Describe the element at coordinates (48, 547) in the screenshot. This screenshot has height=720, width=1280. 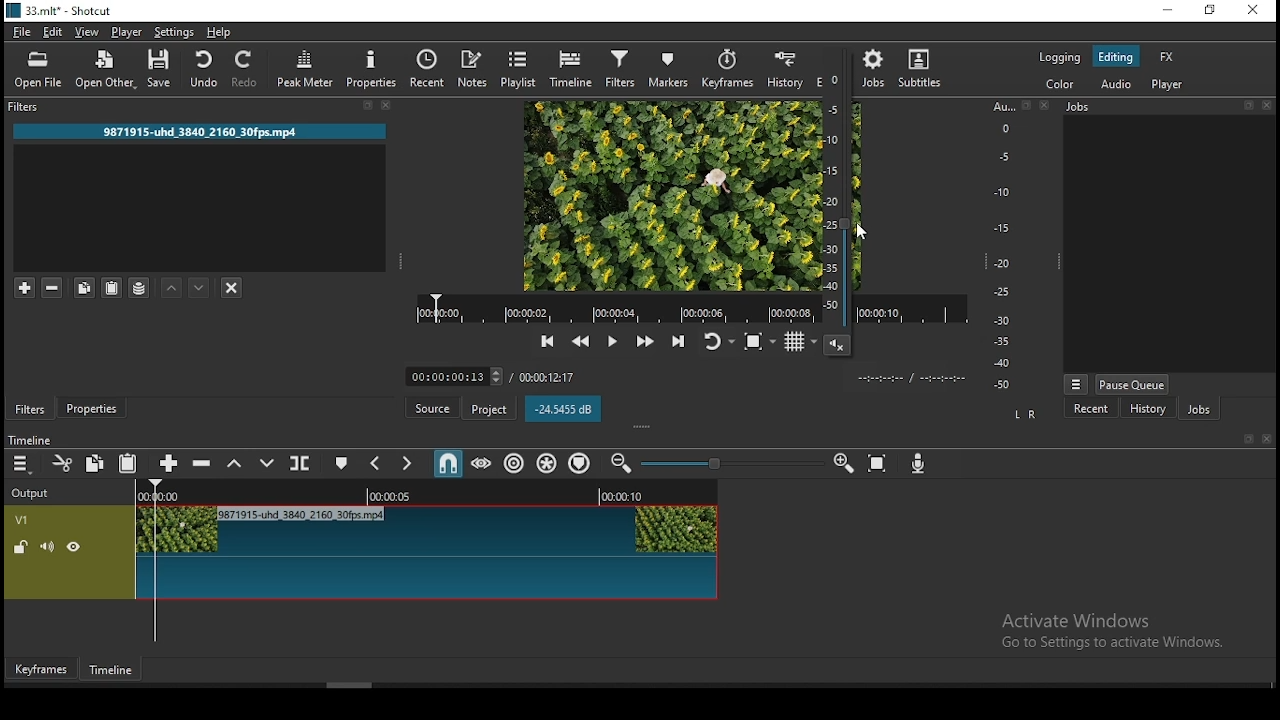
I see `(un) mute` at that location.